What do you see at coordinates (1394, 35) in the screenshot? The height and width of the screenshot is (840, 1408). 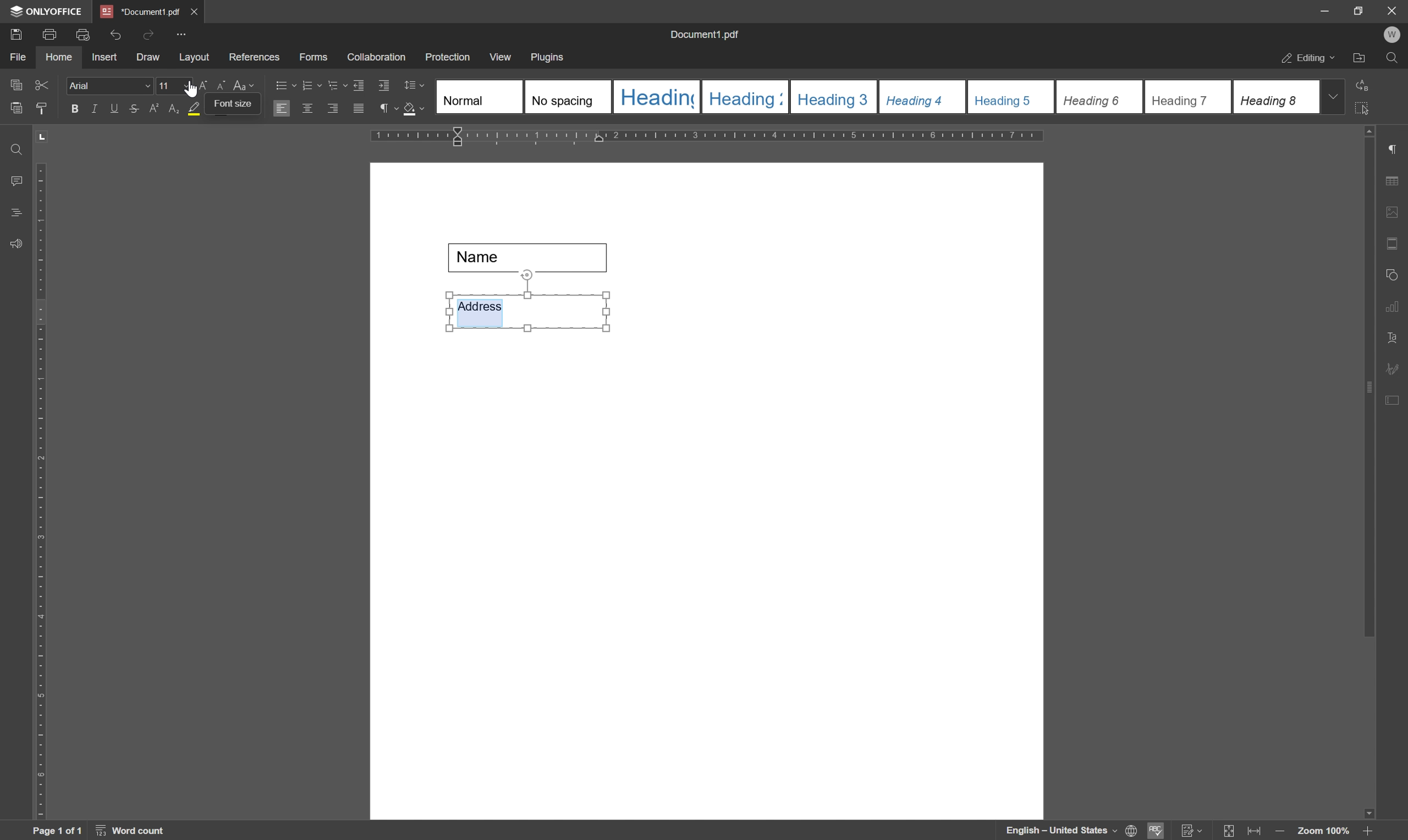 I see `W` at bounding box center [1394, 35].